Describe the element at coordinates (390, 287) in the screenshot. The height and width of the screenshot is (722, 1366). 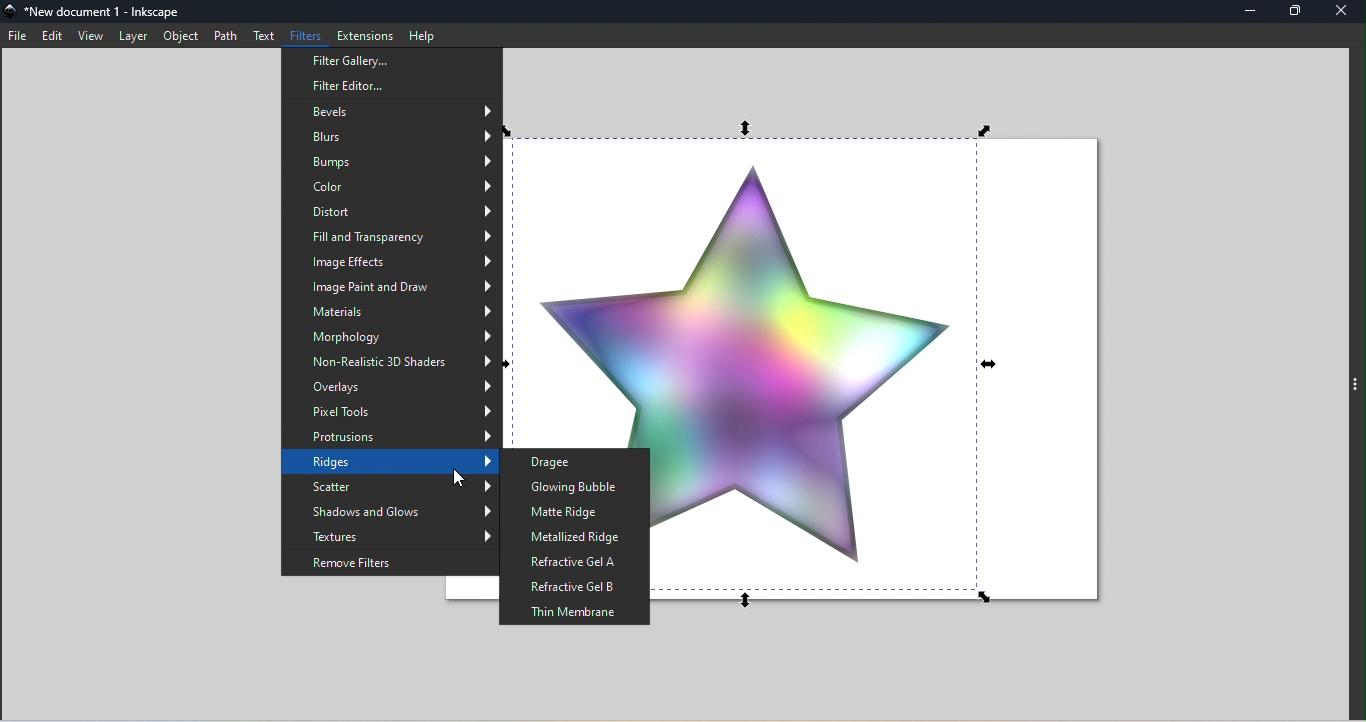
I see `Image Print and Draw` at that location.